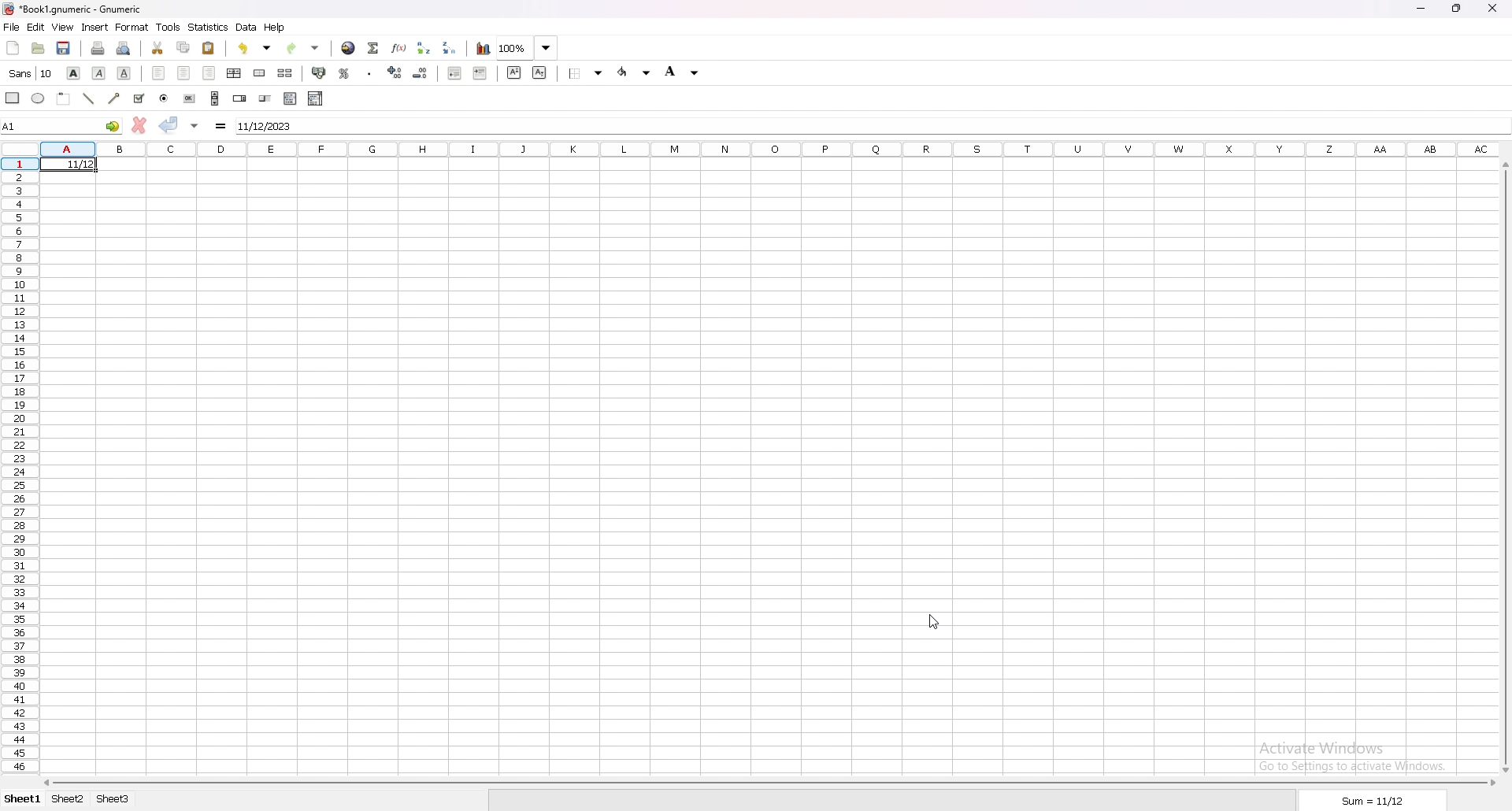  Describe the element at coordinates (635, 72) in the screenshot. I see `foreground` at that location.